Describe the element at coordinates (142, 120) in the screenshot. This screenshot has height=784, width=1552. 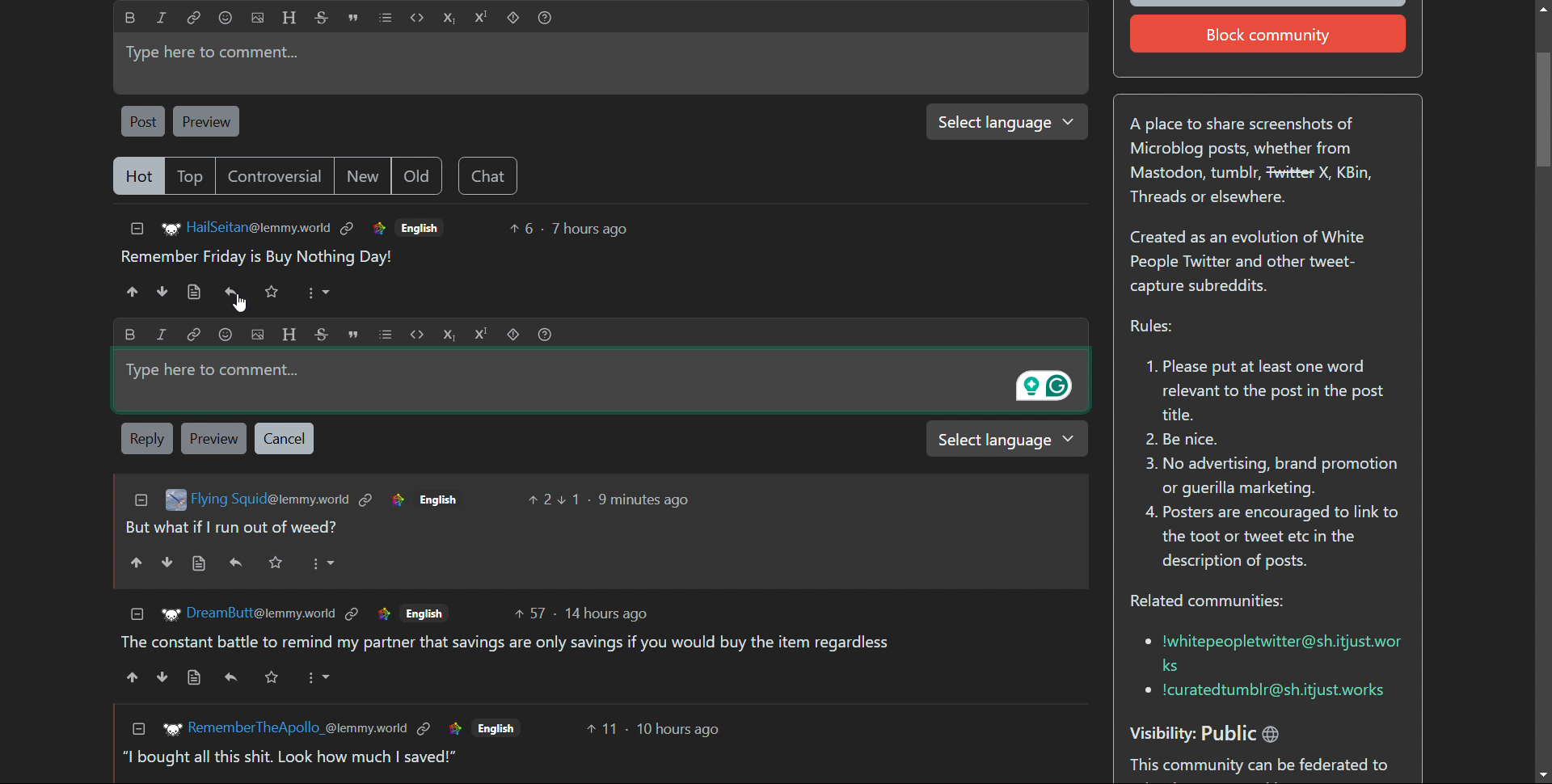
I see `post` at that location.